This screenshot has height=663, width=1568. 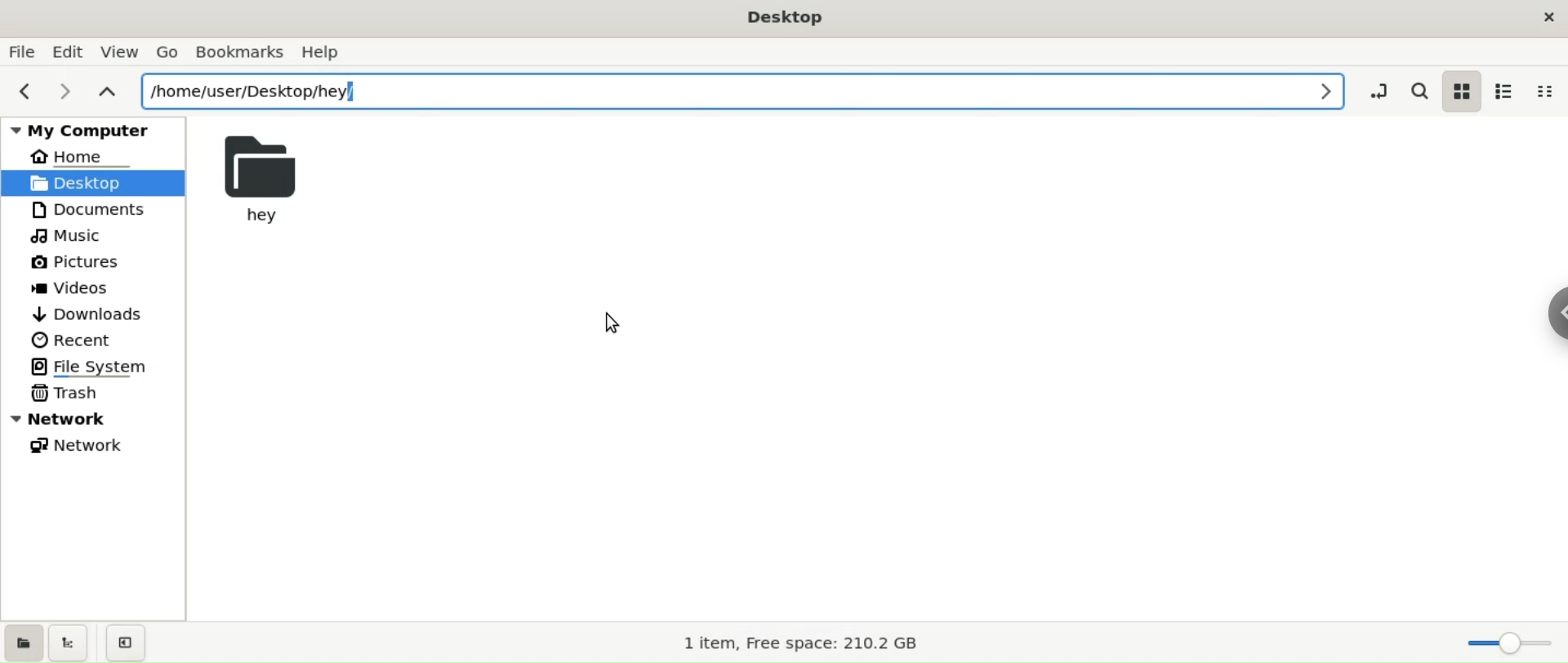 I want to click on my computer, so click(x=91, y=128).